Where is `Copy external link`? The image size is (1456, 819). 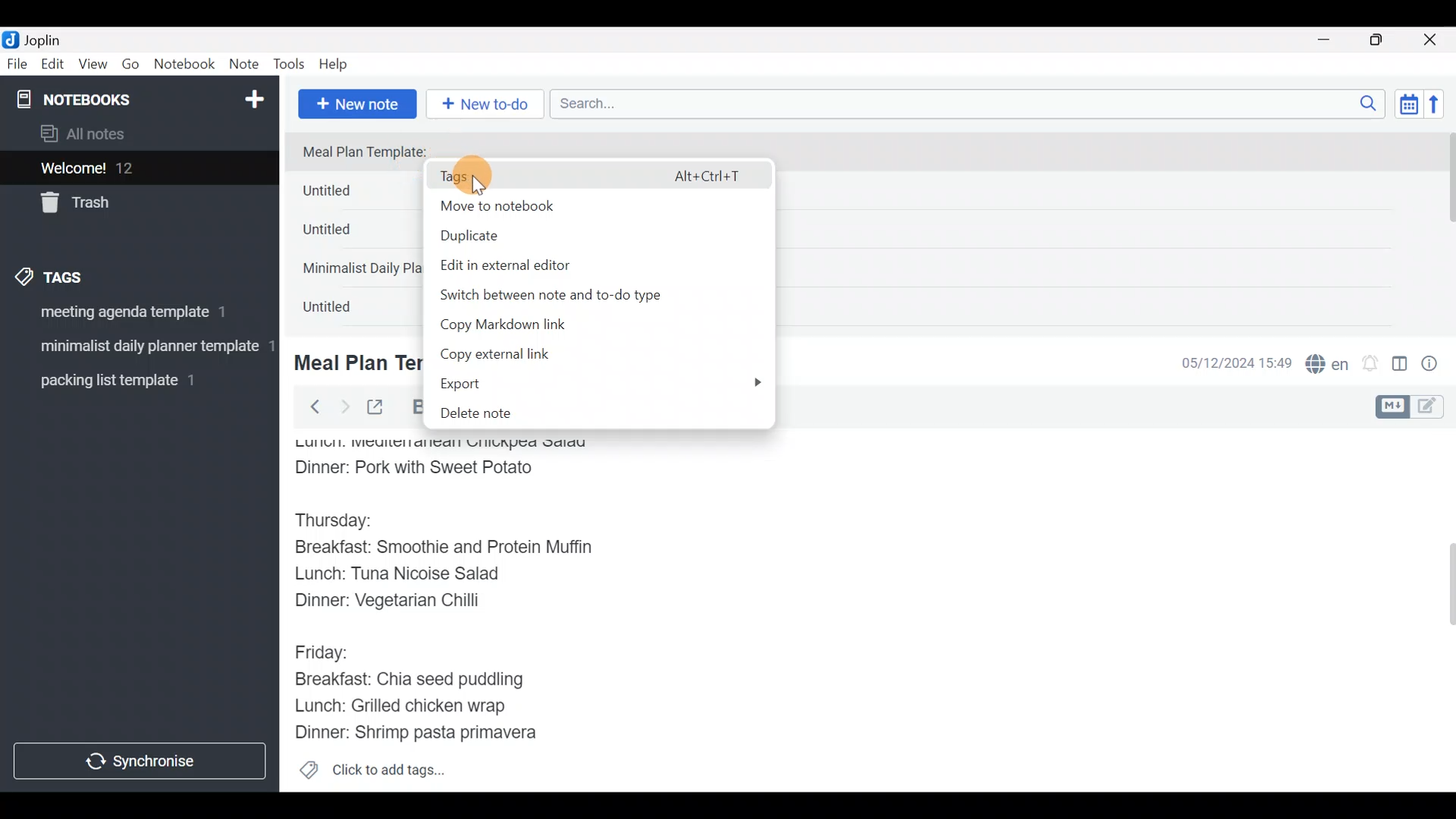 Copy external link is located at coordinates (522, 355).